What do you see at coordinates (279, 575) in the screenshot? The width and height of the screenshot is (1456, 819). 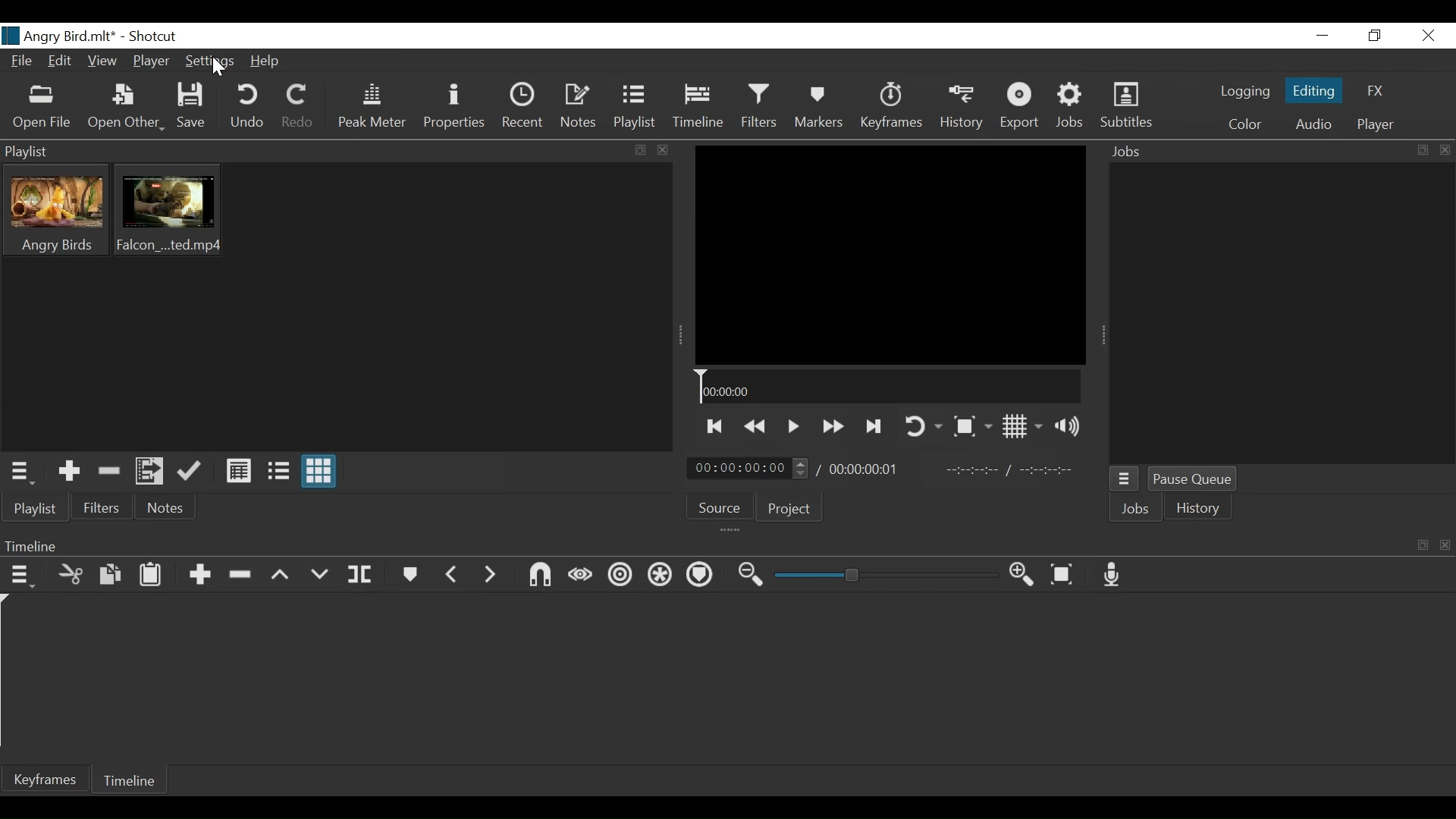 I see `lift` at bounding box center [279, 575].